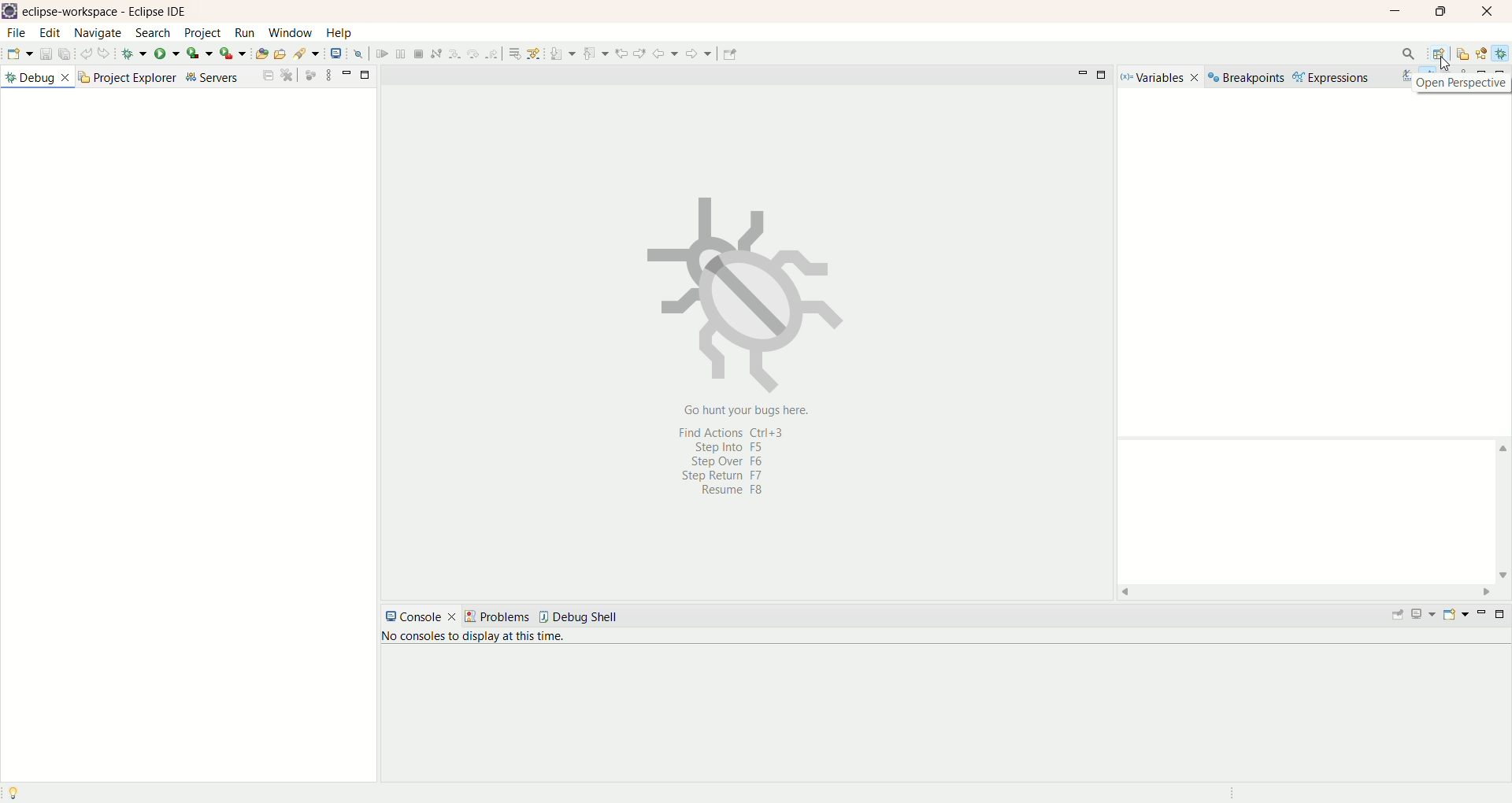  Describe the element at coordinates (738, 294) in the screenshot. I see `image` at that location.